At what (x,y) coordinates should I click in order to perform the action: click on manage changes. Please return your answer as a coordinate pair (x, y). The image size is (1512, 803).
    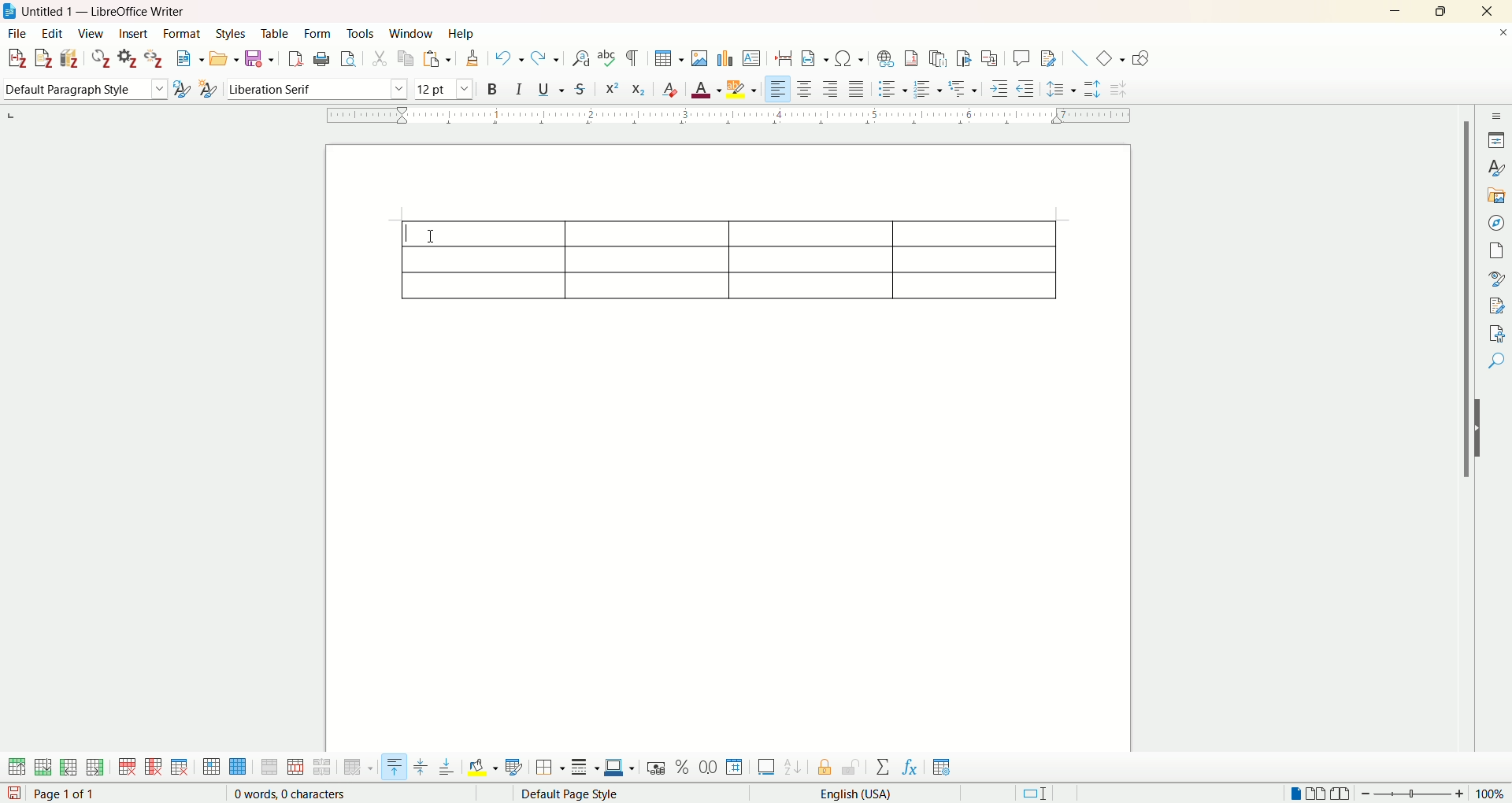
    Looking at the image, I should click on (1495, 306).